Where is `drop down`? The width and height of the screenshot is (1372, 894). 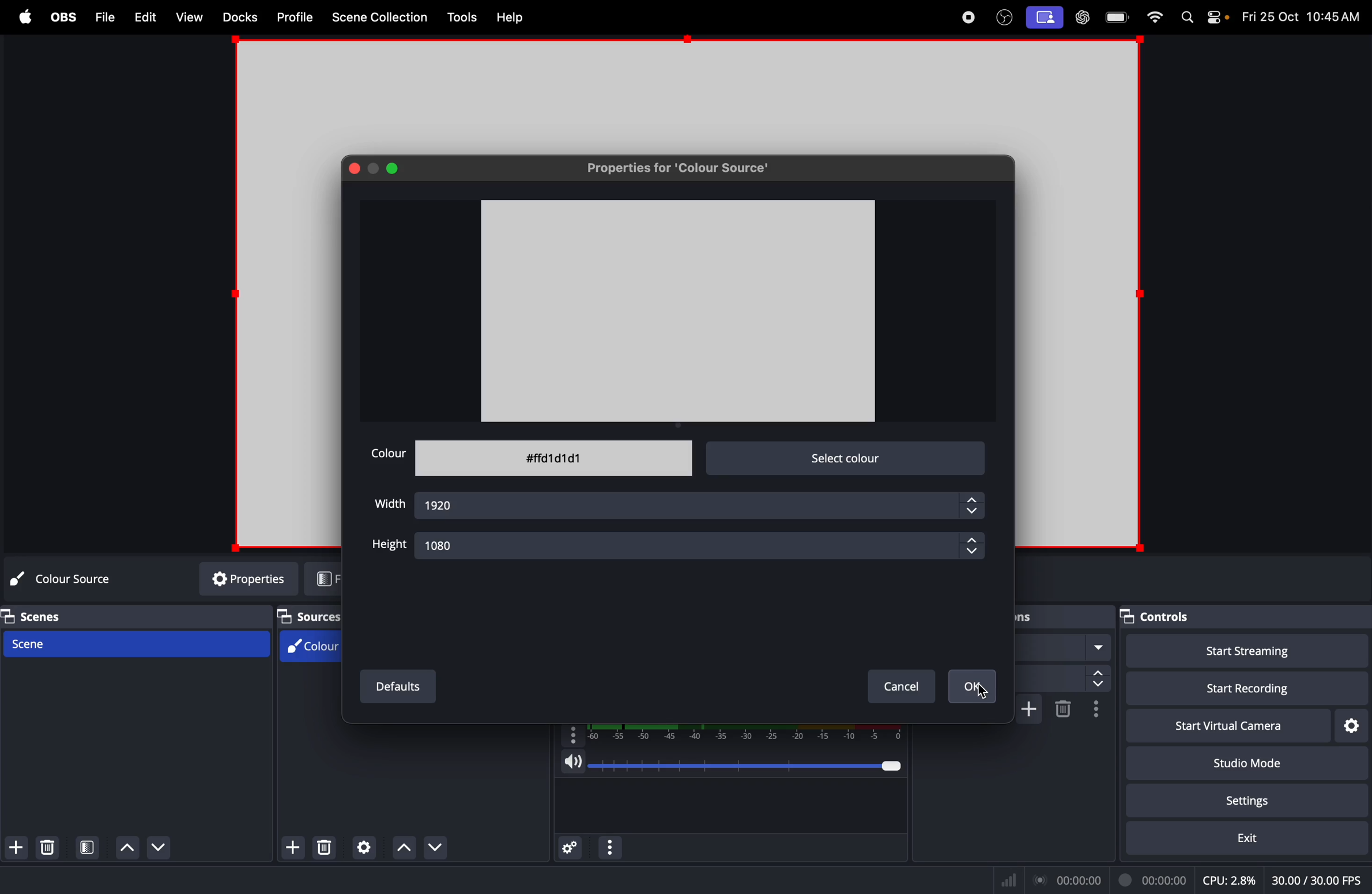
drop down is located at coordinates (443, 847).